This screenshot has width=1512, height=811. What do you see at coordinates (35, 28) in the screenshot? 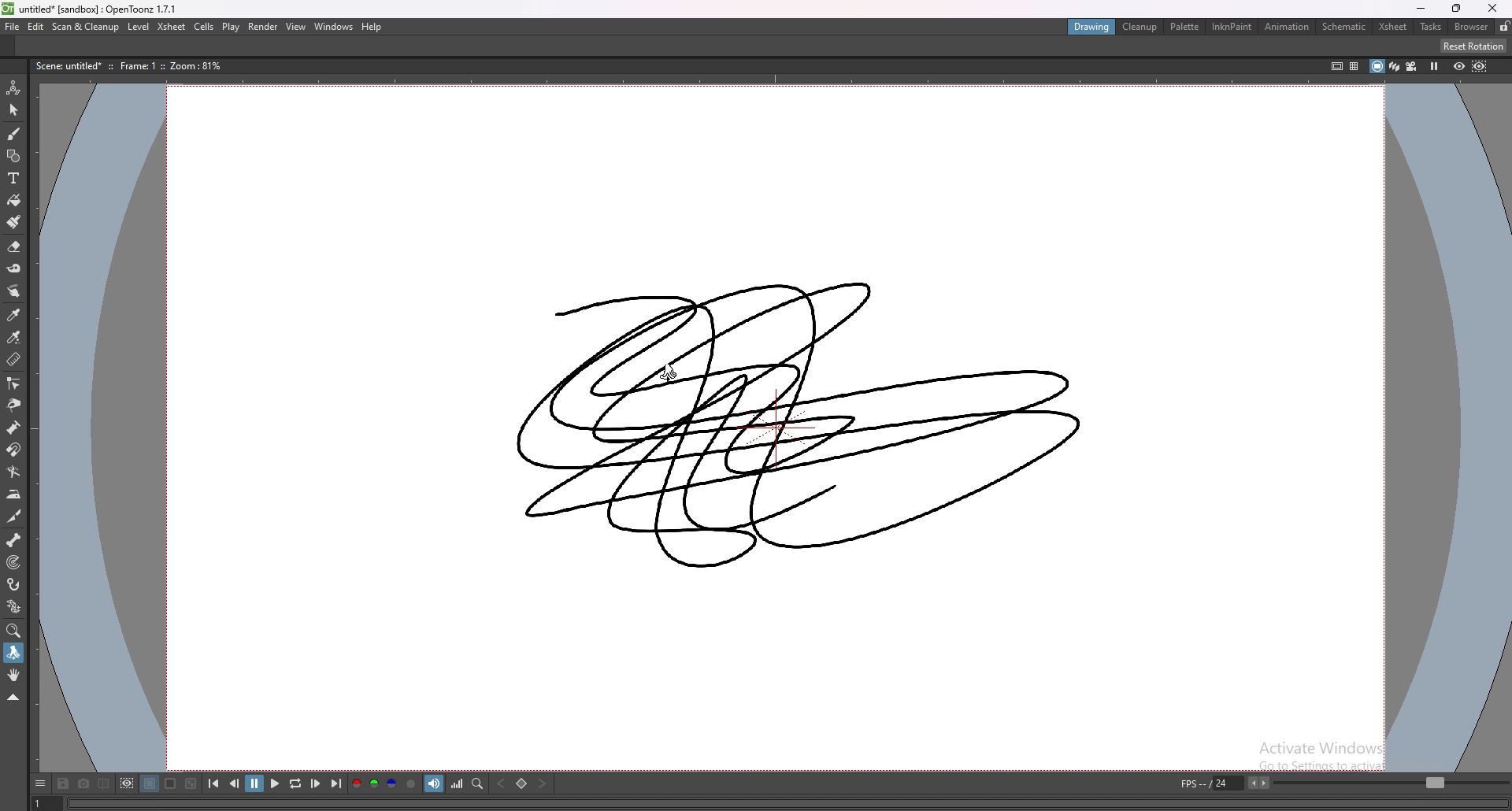
I see `edit` at bounding box center [35, 28].